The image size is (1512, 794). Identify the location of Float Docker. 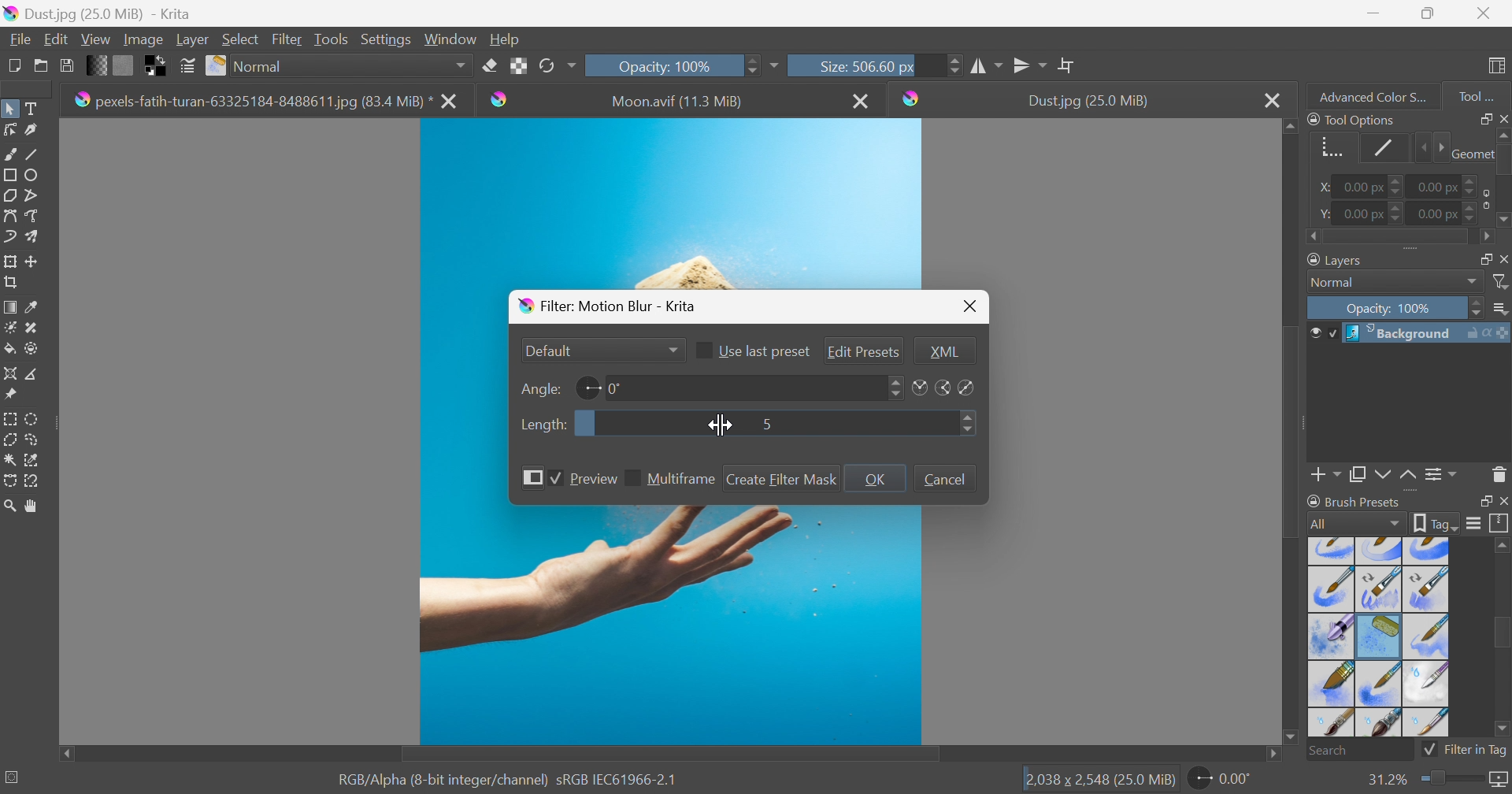
(1483, 502).